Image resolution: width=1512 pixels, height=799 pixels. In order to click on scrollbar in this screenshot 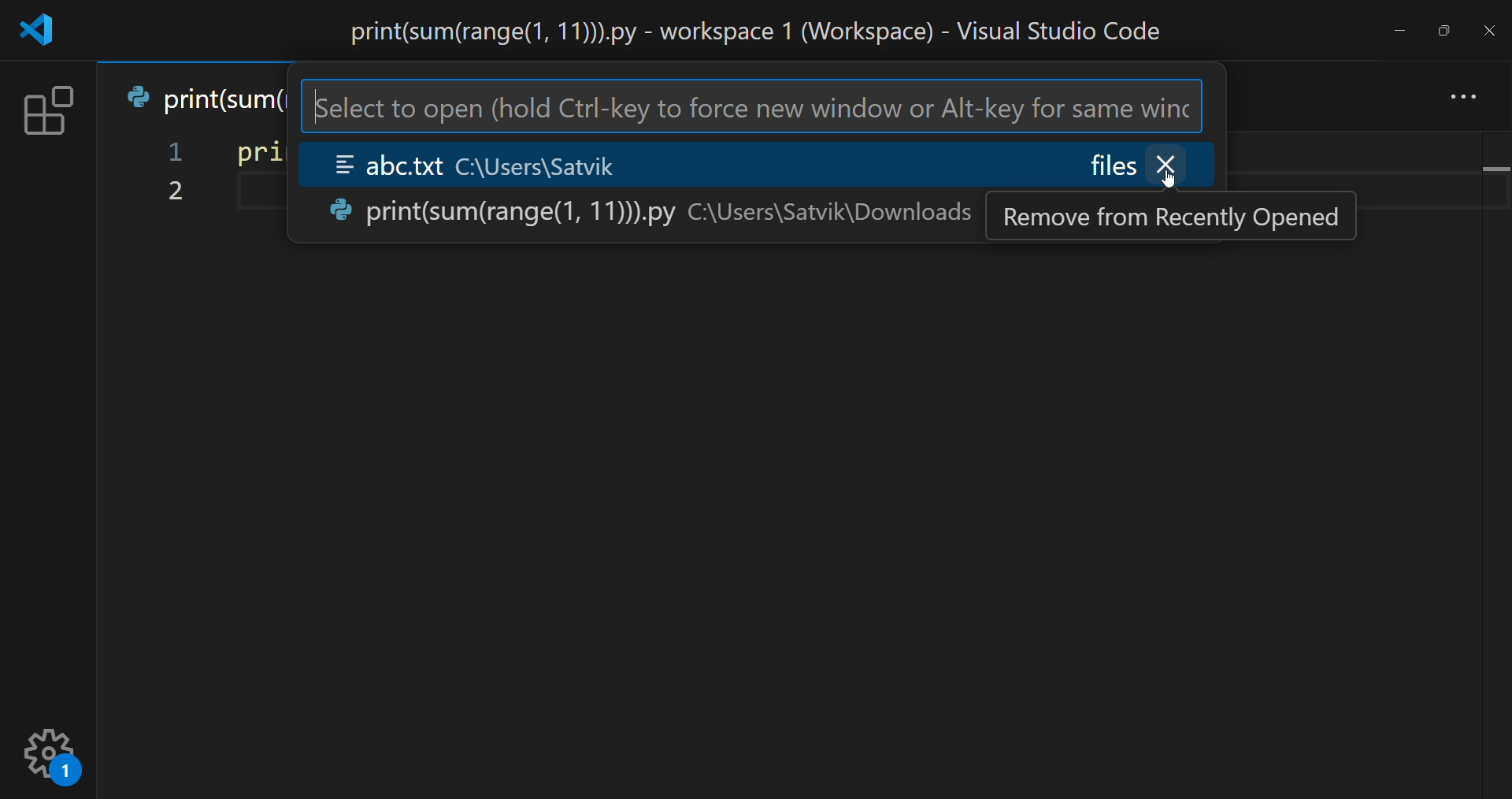, I will do `click(1492, 451)`.